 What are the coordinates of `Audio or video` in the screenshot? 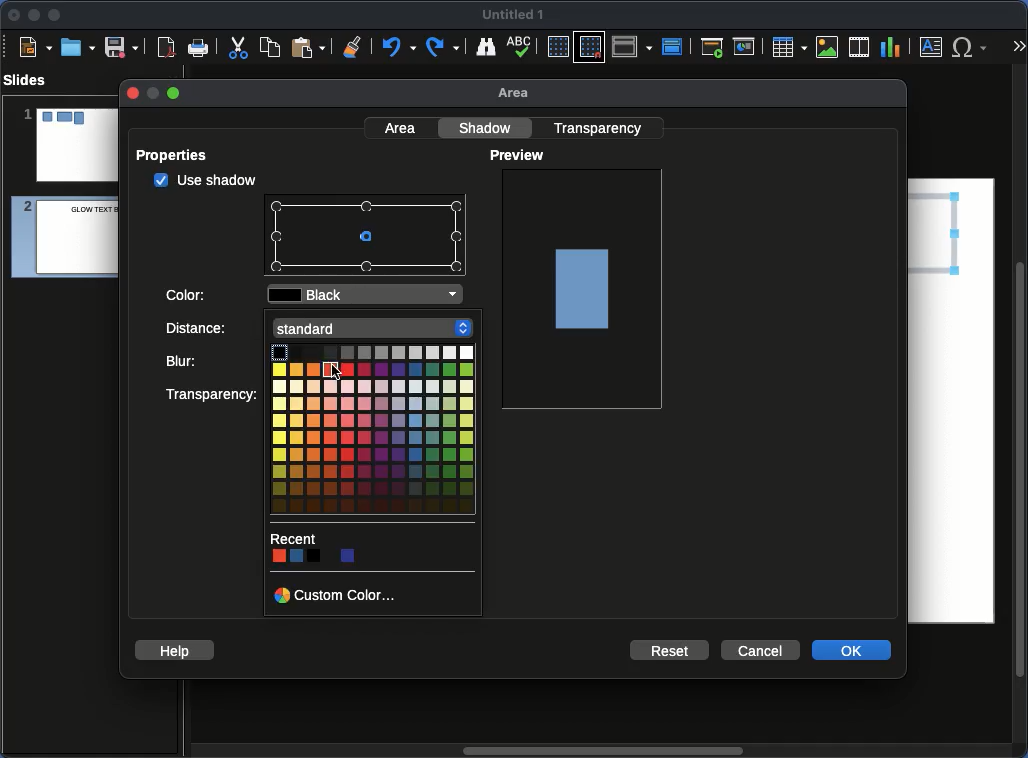 It's located at (860, 47).